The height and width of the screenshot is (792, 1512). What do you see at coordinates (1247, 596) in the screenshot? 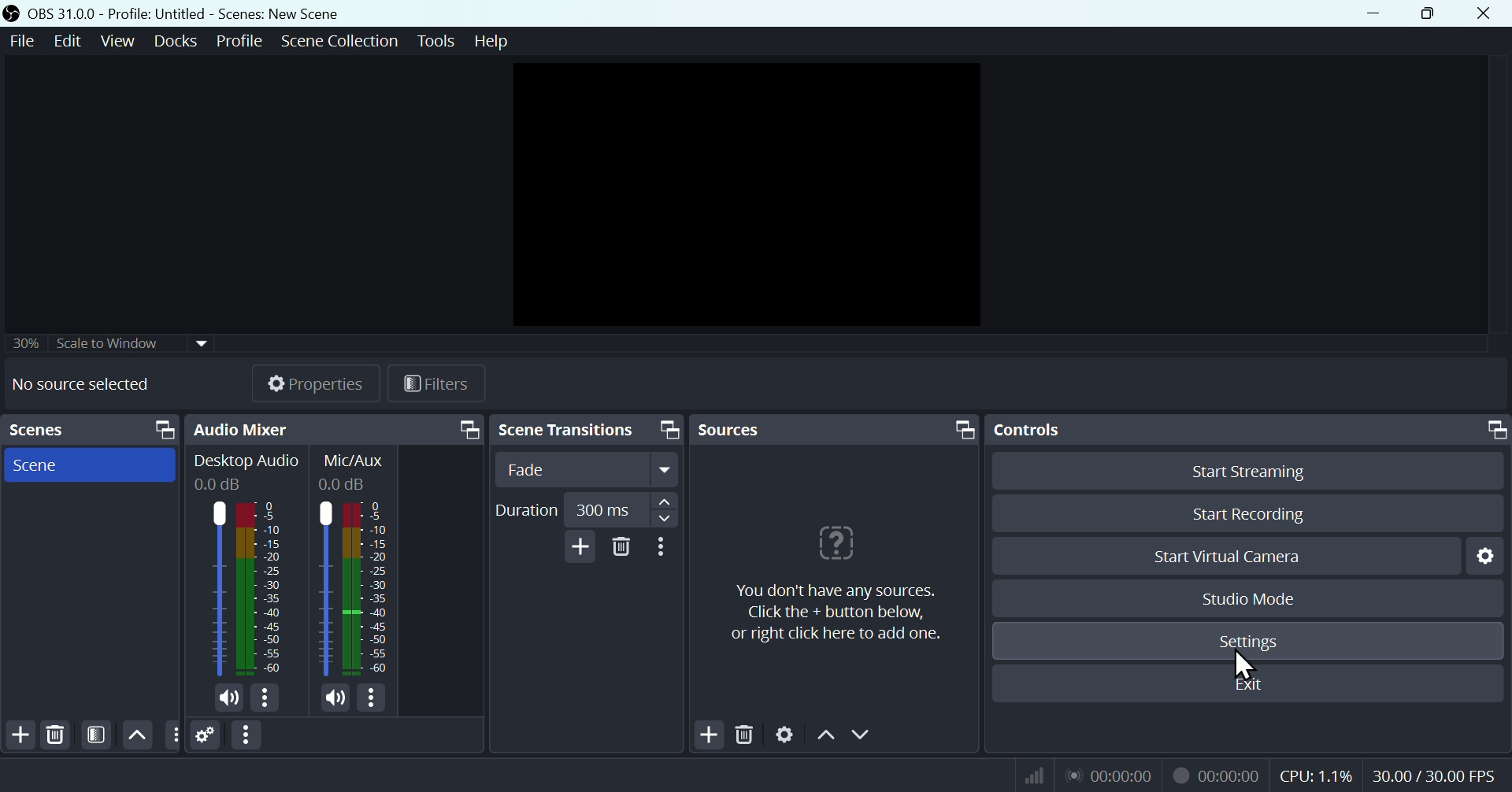
I see `Studio mode` at bounding box center [1247, 596].